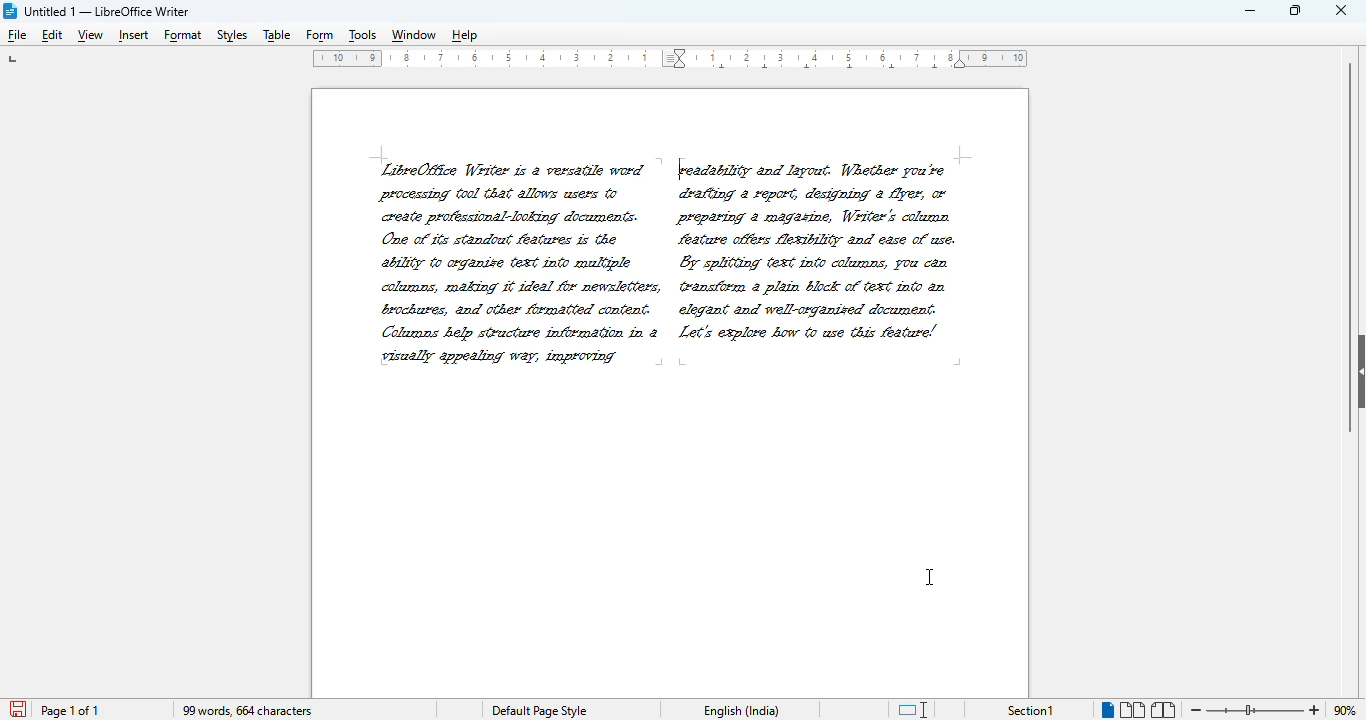  Describe the element at coordinates (817, 54) in the screenshot. I see `1, 2, 3, 4, 5, 6, 7` at that location.